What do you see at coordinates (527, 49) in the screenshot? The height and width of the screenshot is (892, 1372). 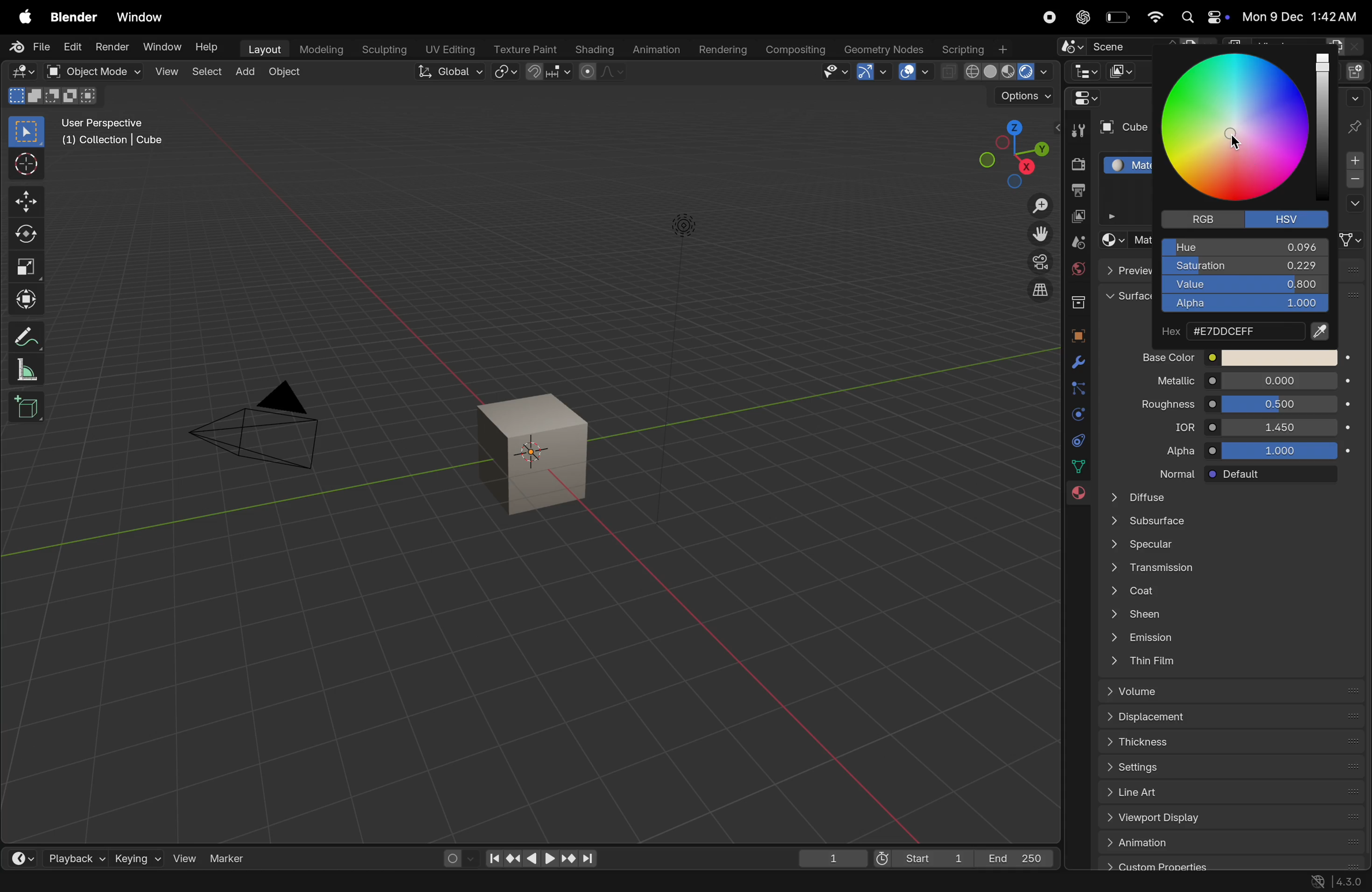 I see `Texture paint` at bounding box center [527, 49].